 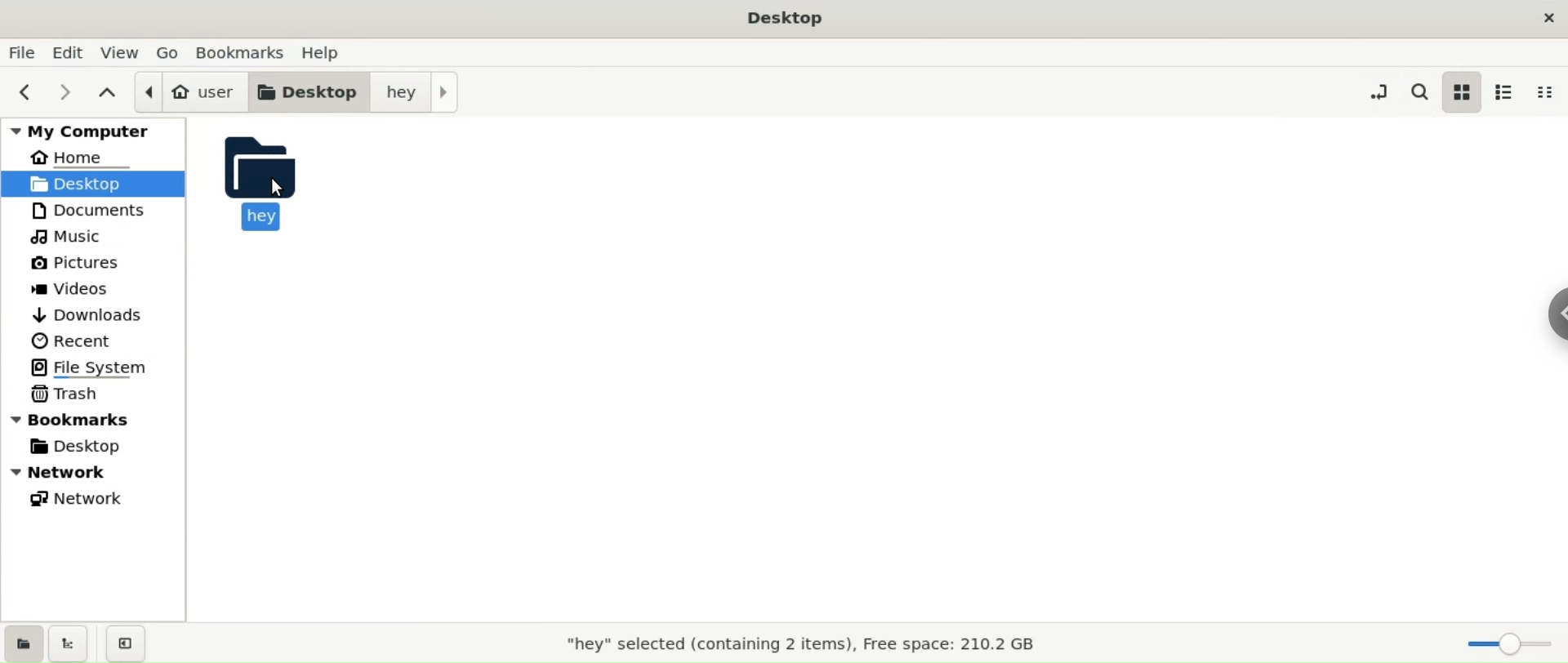 What do you see at coordinates (1463, 91) in the screenshot?
I see `icon view` at bounding box center [1463, 91].